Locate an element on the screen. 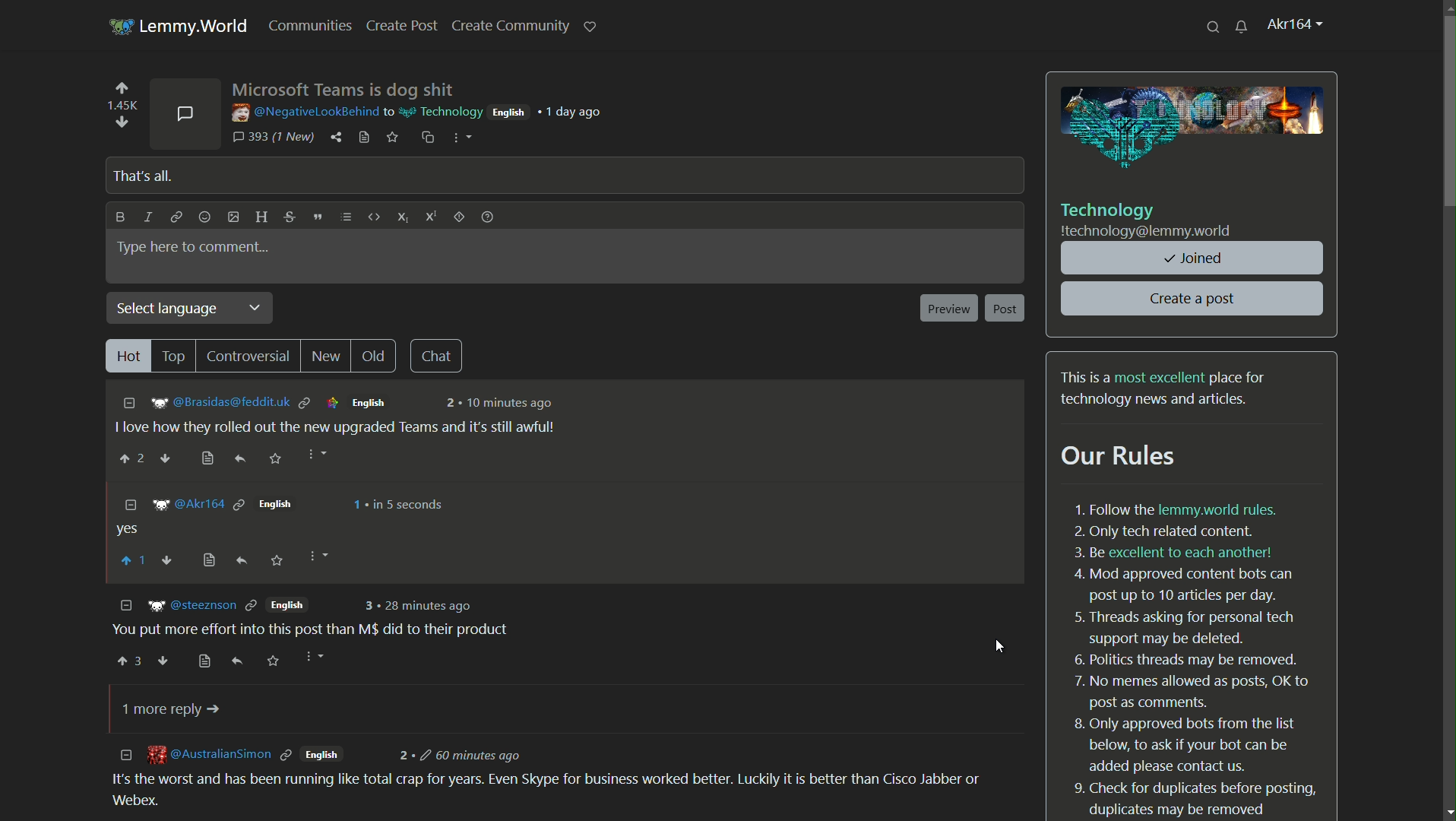  support lemmy.world is located at coordinates (590, 25).